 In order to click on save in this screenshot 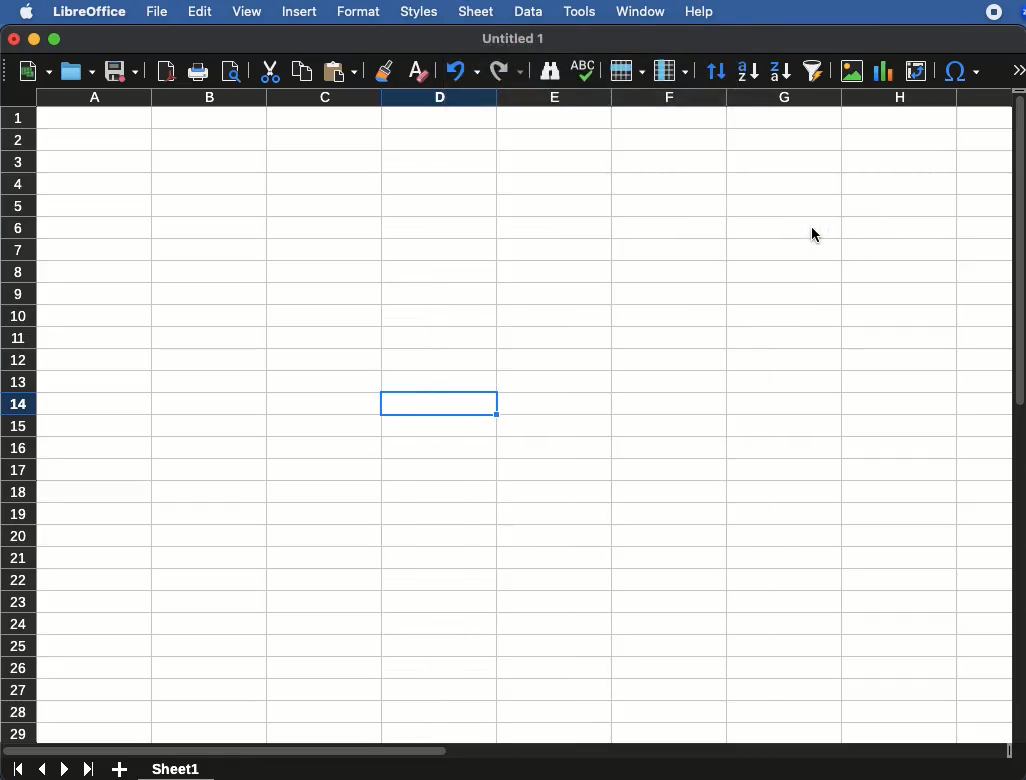, I will do `click(122, 71)`.